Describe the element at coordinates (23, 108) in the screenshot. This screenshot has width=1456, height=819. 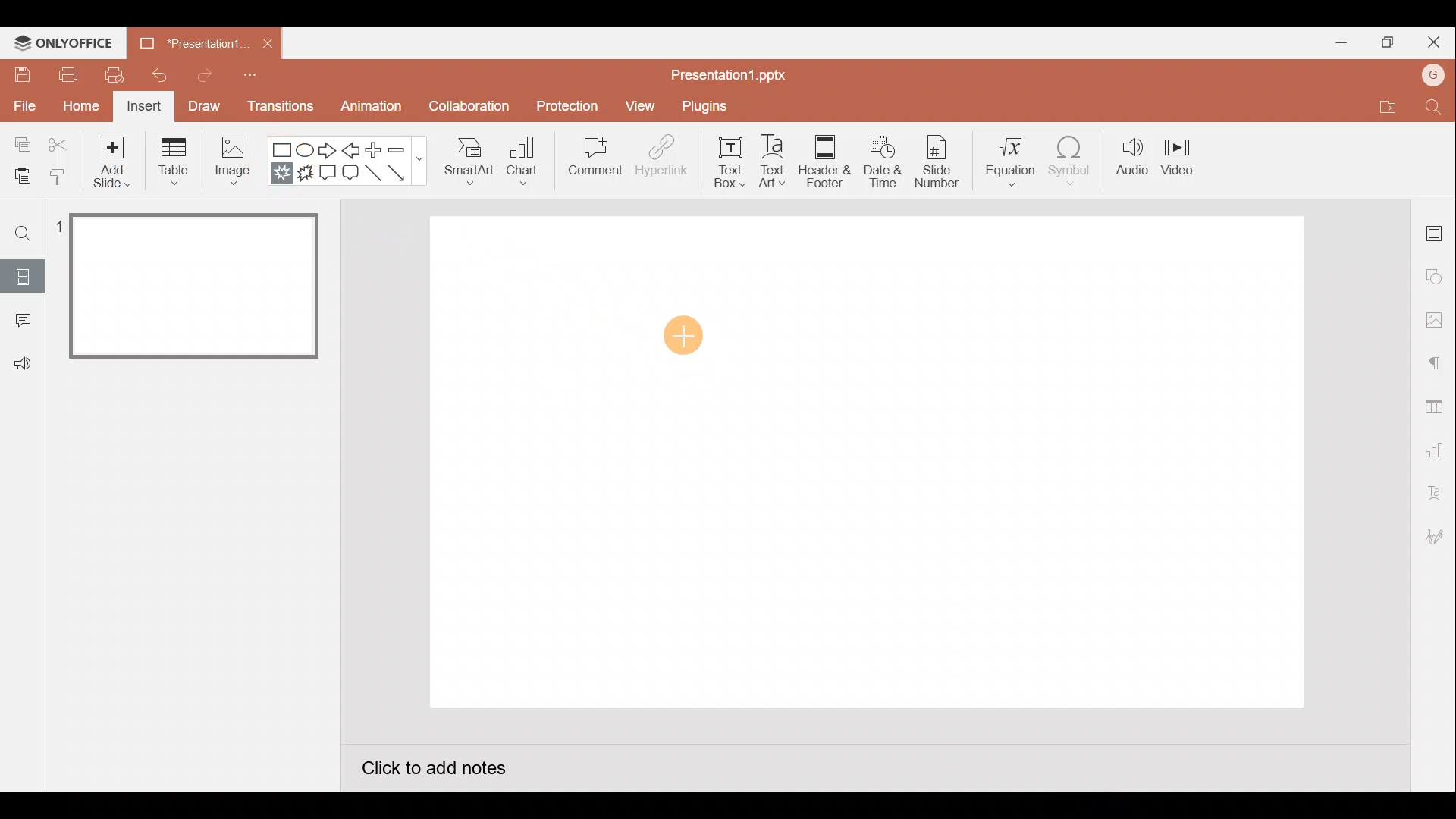
I see `File` at that location.